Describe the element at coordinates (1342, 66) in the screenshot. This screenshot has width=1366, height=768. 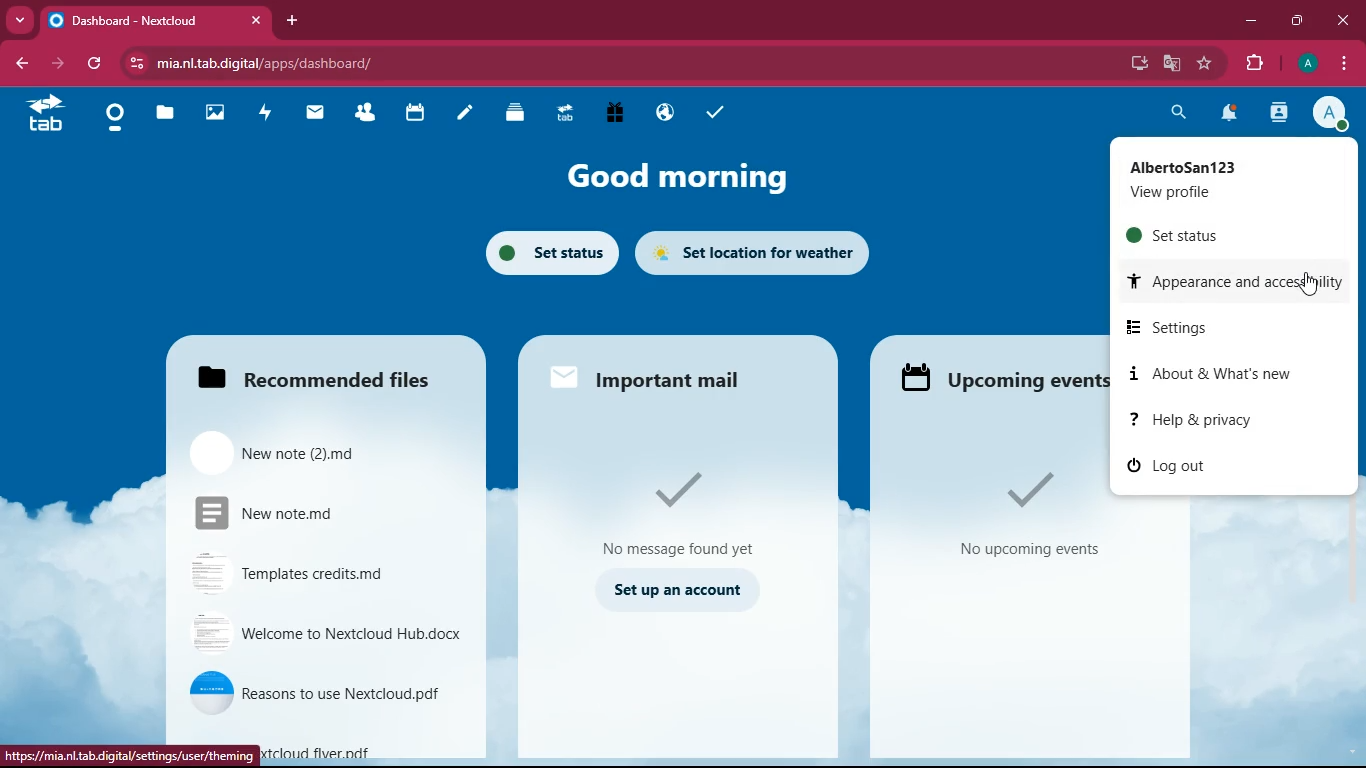
I see `menu` at that location.